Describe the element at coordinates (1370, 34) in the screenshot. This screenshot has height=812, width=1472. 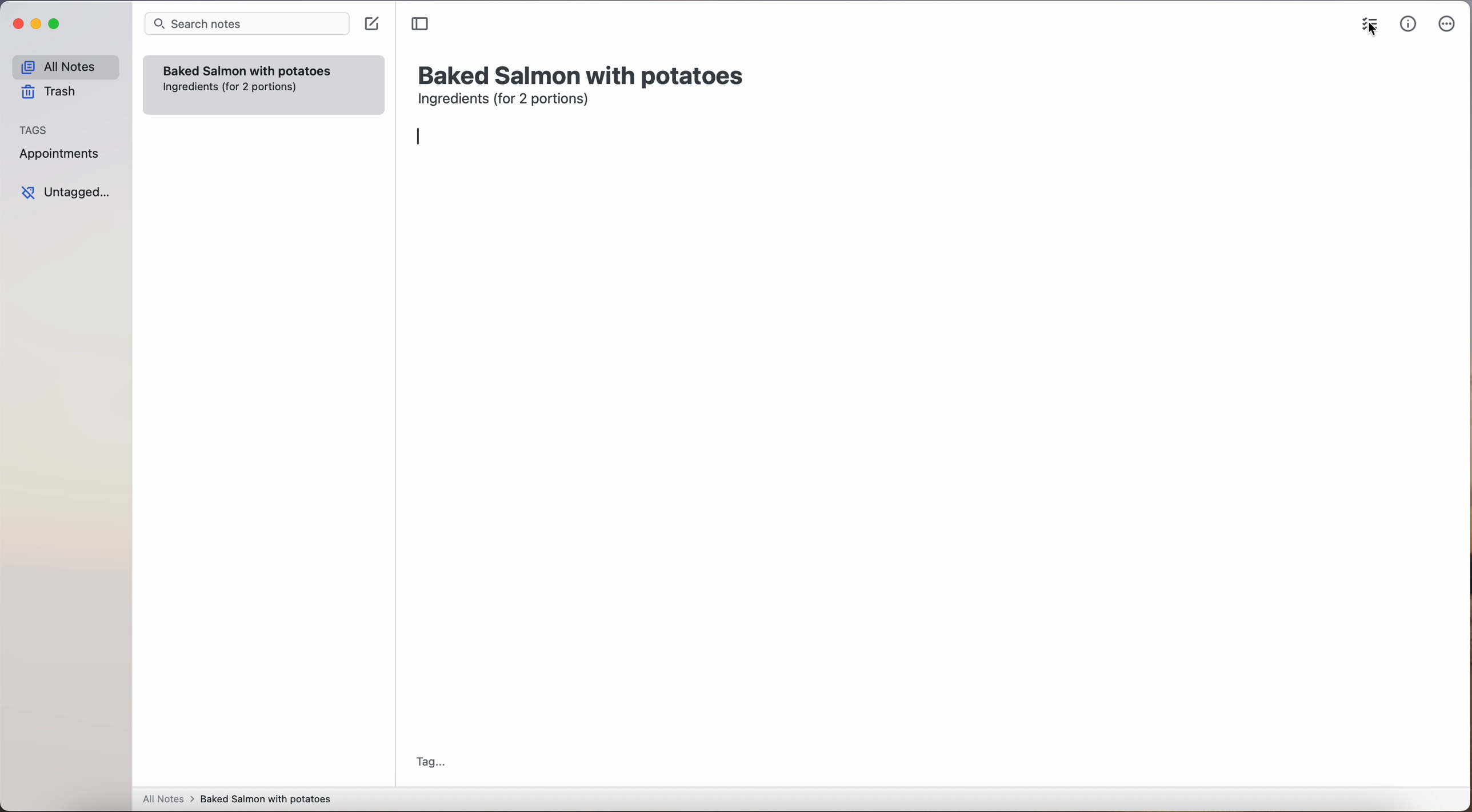
I see `cursor` at that location.